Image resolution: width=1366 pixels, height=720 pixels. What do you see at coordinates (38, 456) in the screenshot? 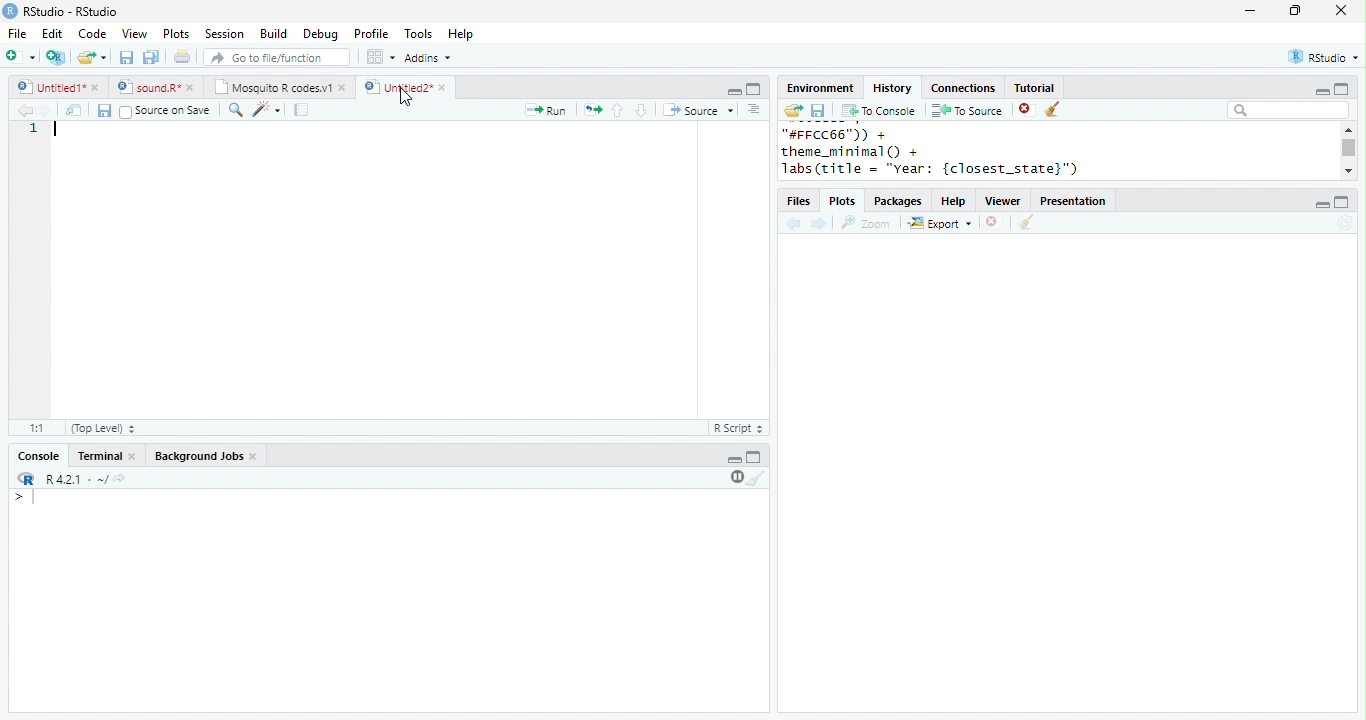
I see `Console` at bounding box center [38, 456].